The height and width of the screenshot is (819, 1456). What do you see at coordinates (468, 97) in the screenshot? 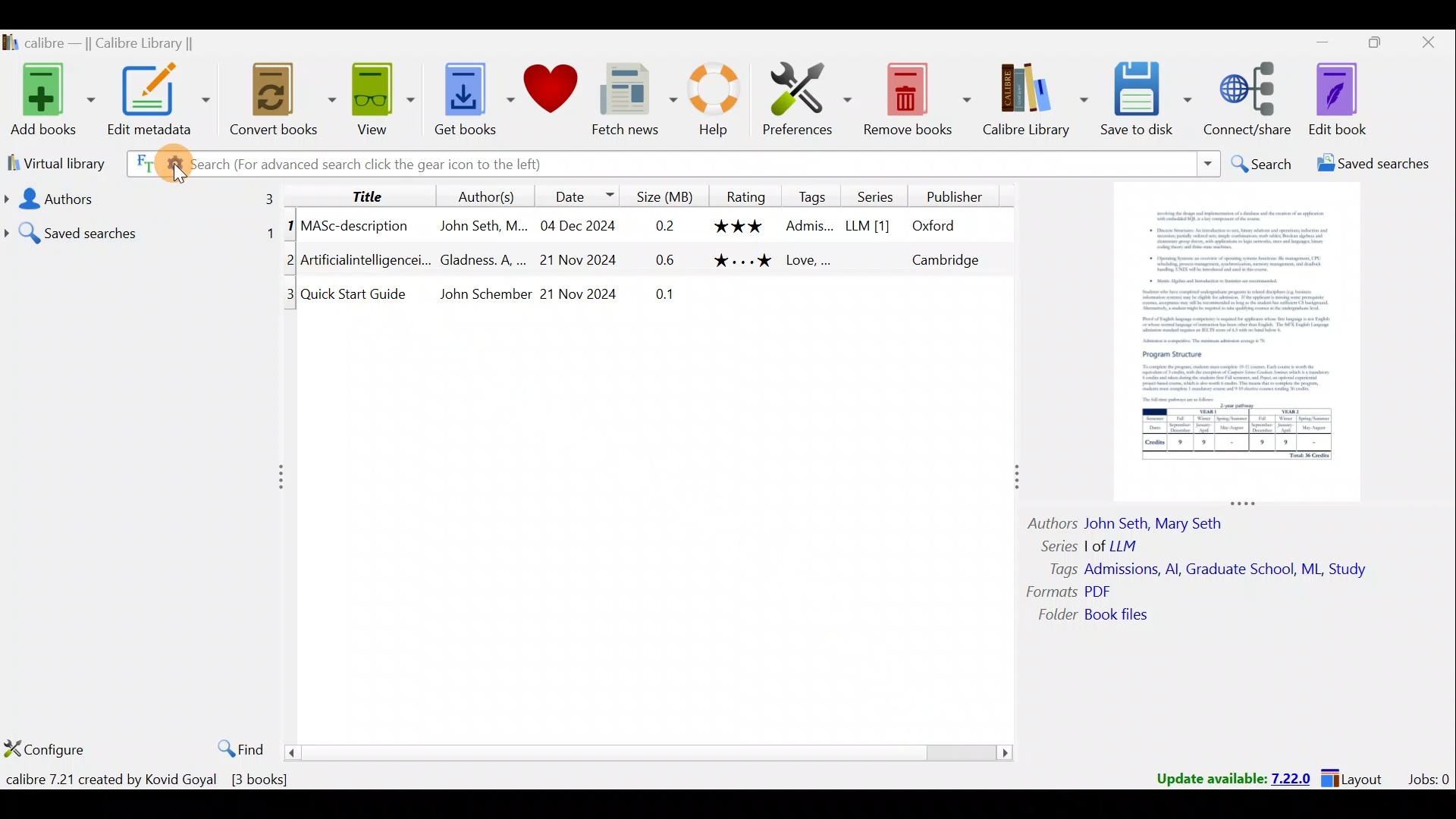
I see `Get books` at bounding box center [468, 97].